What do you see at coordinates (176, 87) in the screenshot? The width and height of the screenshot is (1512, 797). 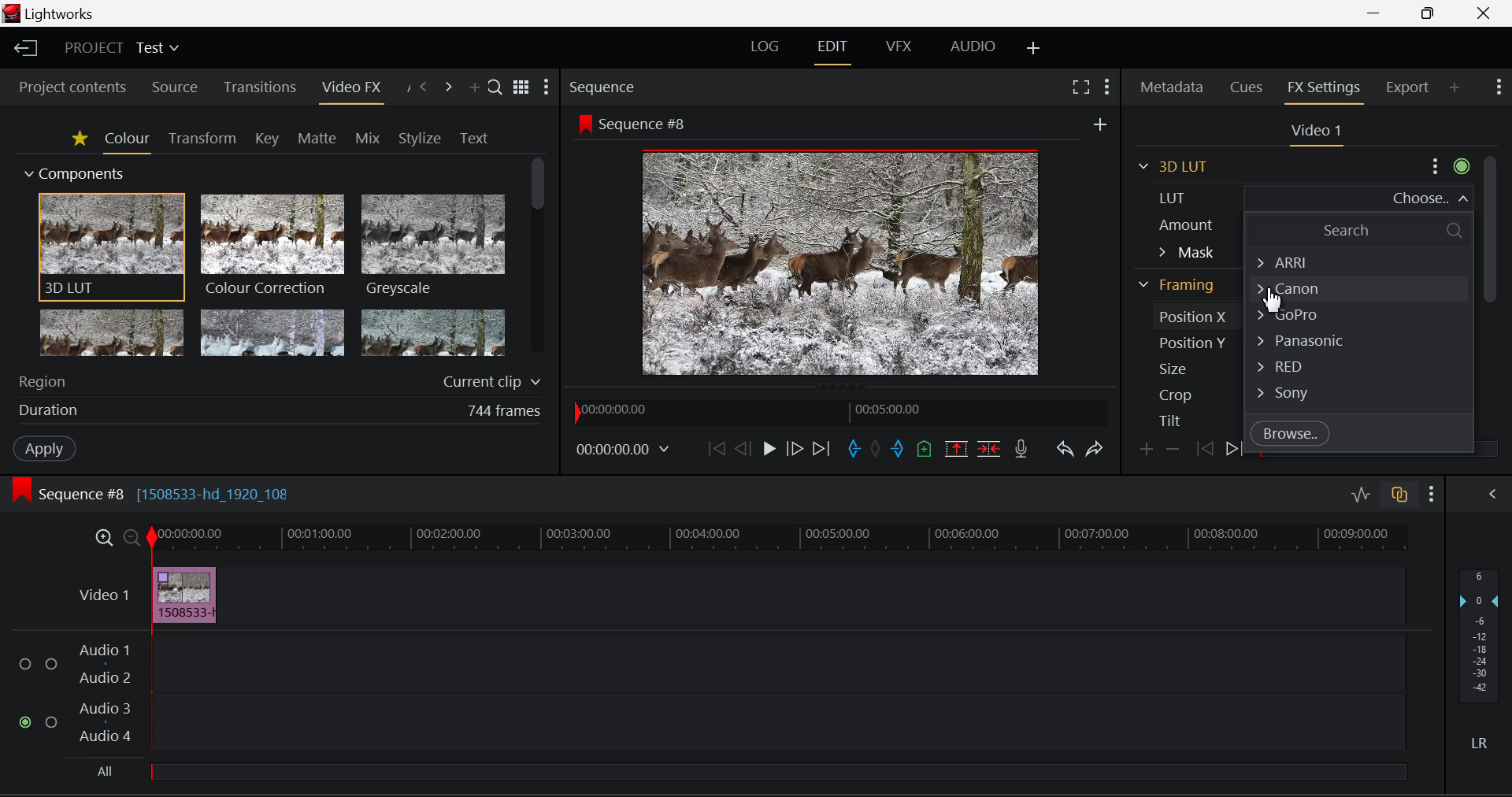 I see `Source` at bounding box center [176, 87].